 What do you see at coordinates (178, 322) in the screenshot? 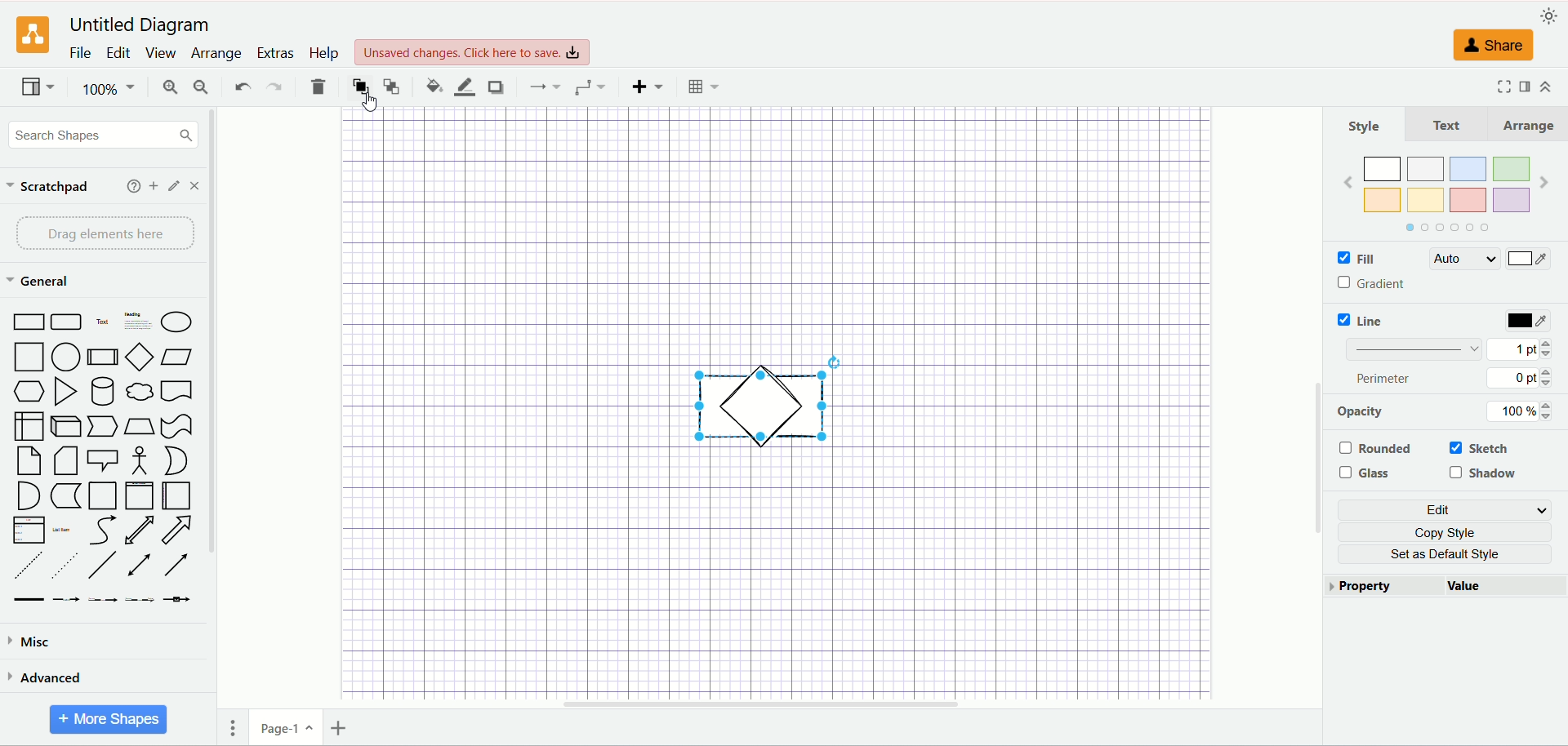
I see `eclipse` at bounding box center [178, 322].